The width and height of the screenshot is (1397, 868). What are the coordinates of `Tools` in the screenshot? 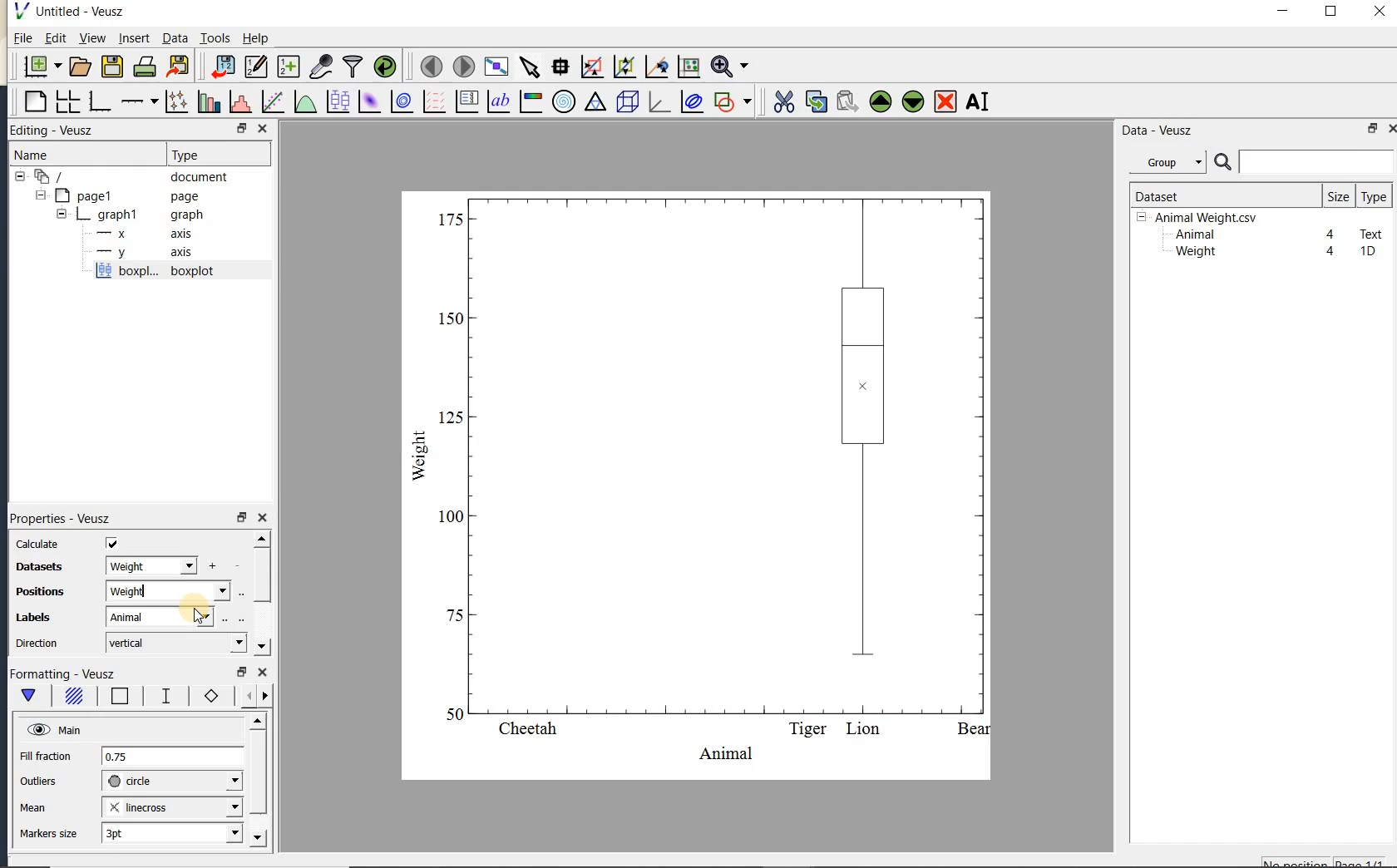 It's located at (216, 37).